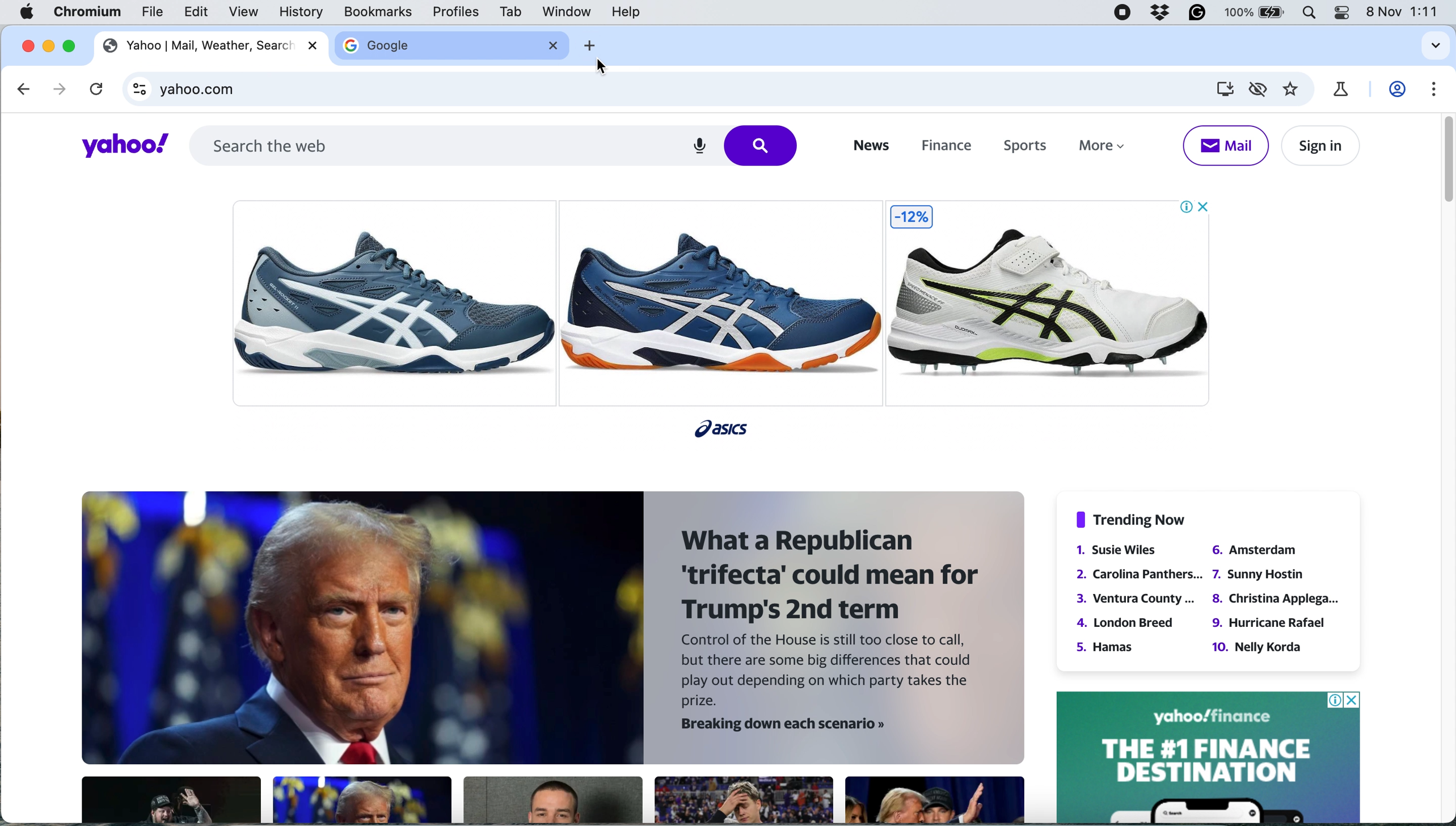 The height and width of the screenshot is (826, 1456). Describe the element at coordinates (1399, 90) in the screenshot. I see `profile` at that location.